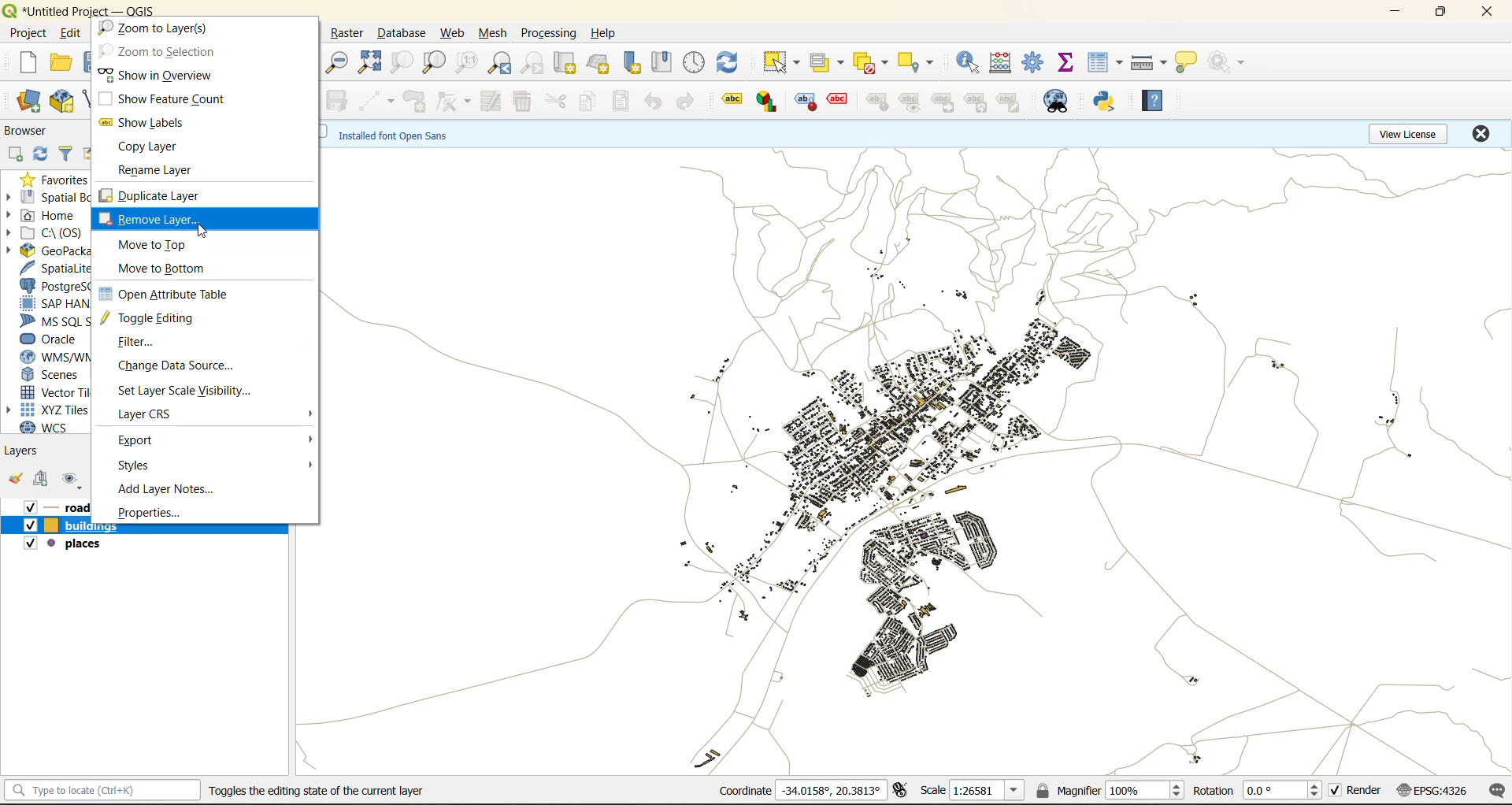 The width and height of the screenshot is (1512, 805). What do you see at coordinates (537, 62) in the screenshot?
I see `zoom next` at bounding box center [537, 62].